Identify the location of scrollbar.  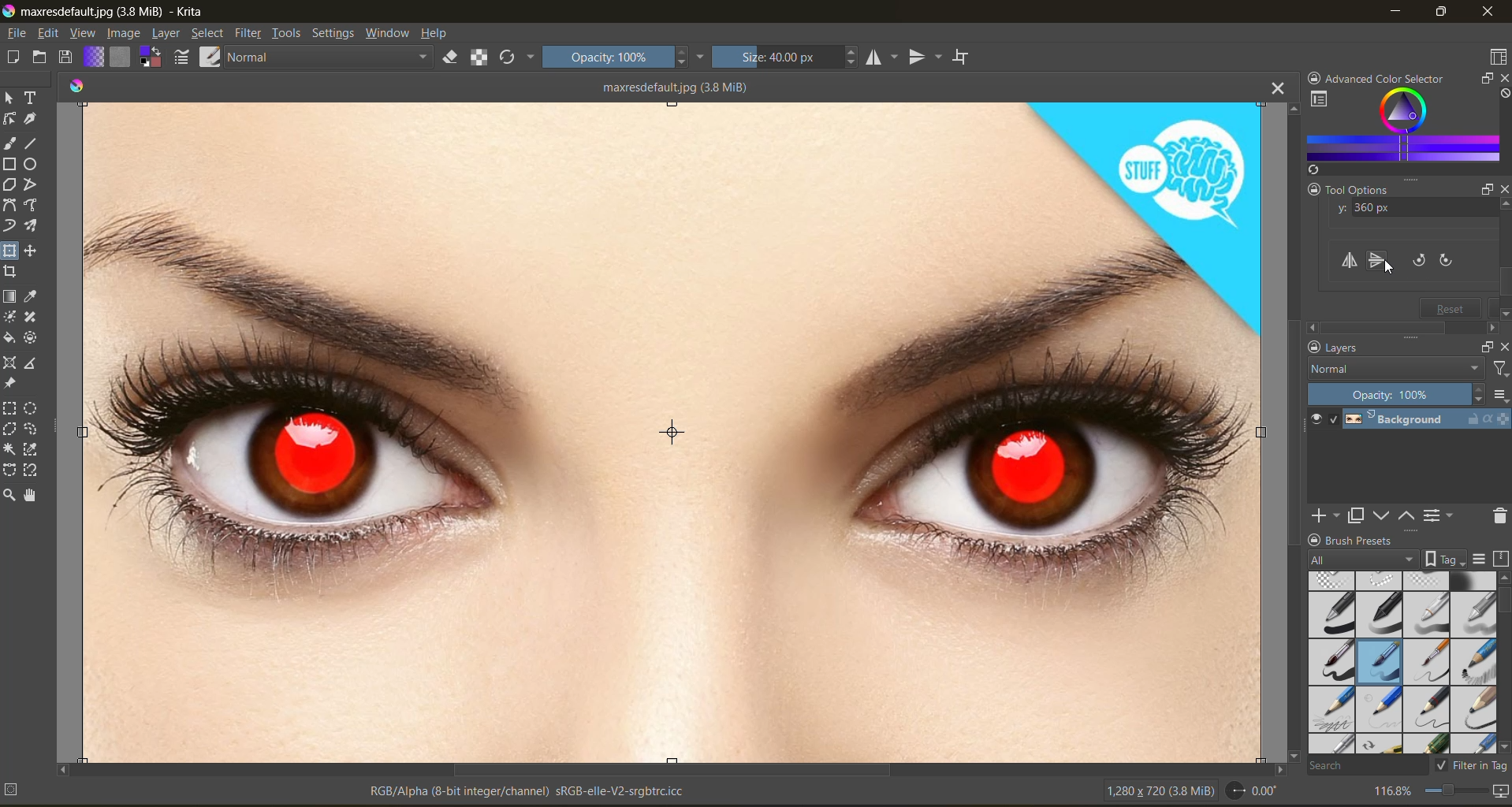
(1400, 326).